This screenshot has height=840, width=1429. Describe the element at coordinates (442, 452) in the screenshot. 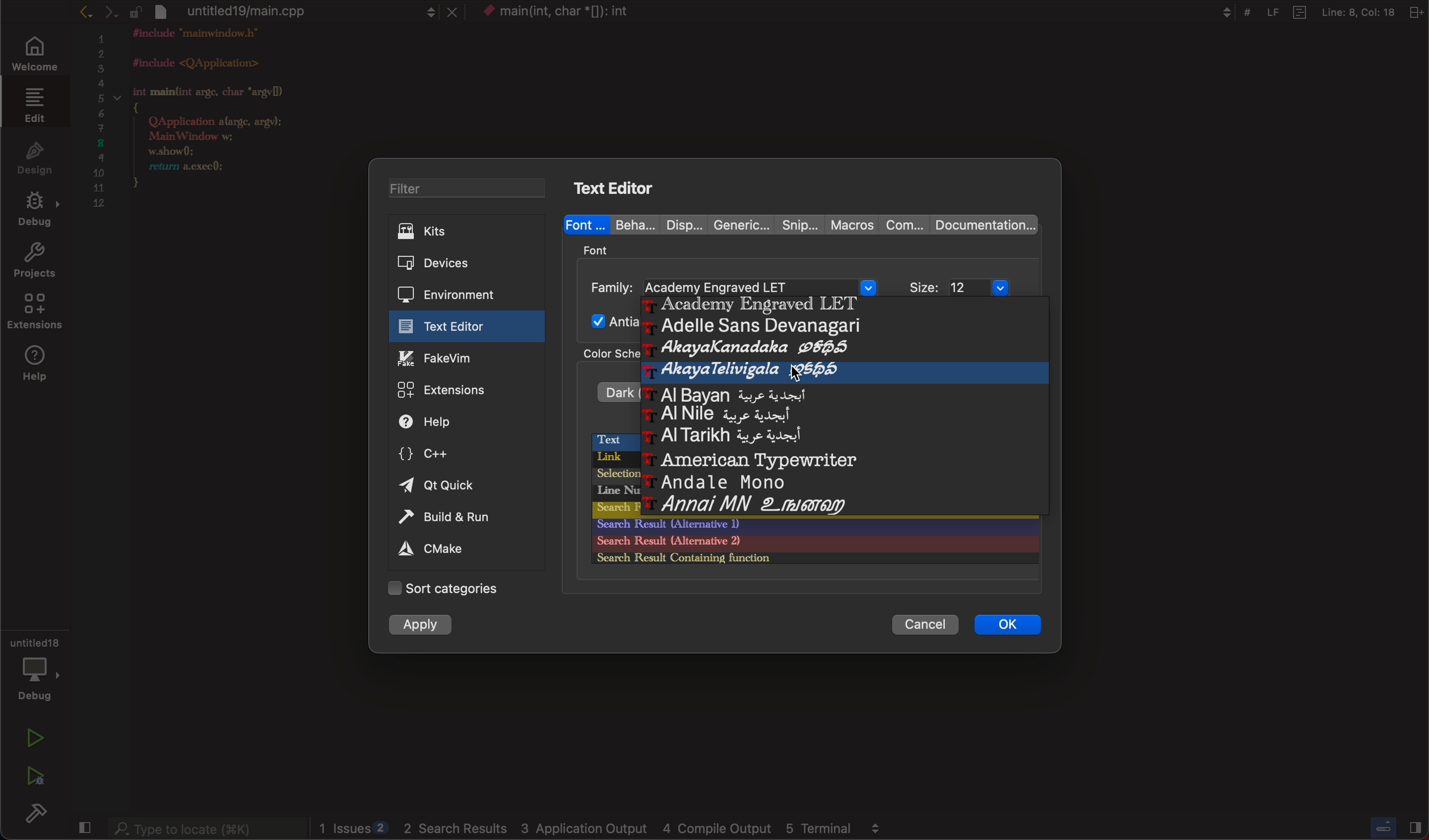

I see `c++` at that location.